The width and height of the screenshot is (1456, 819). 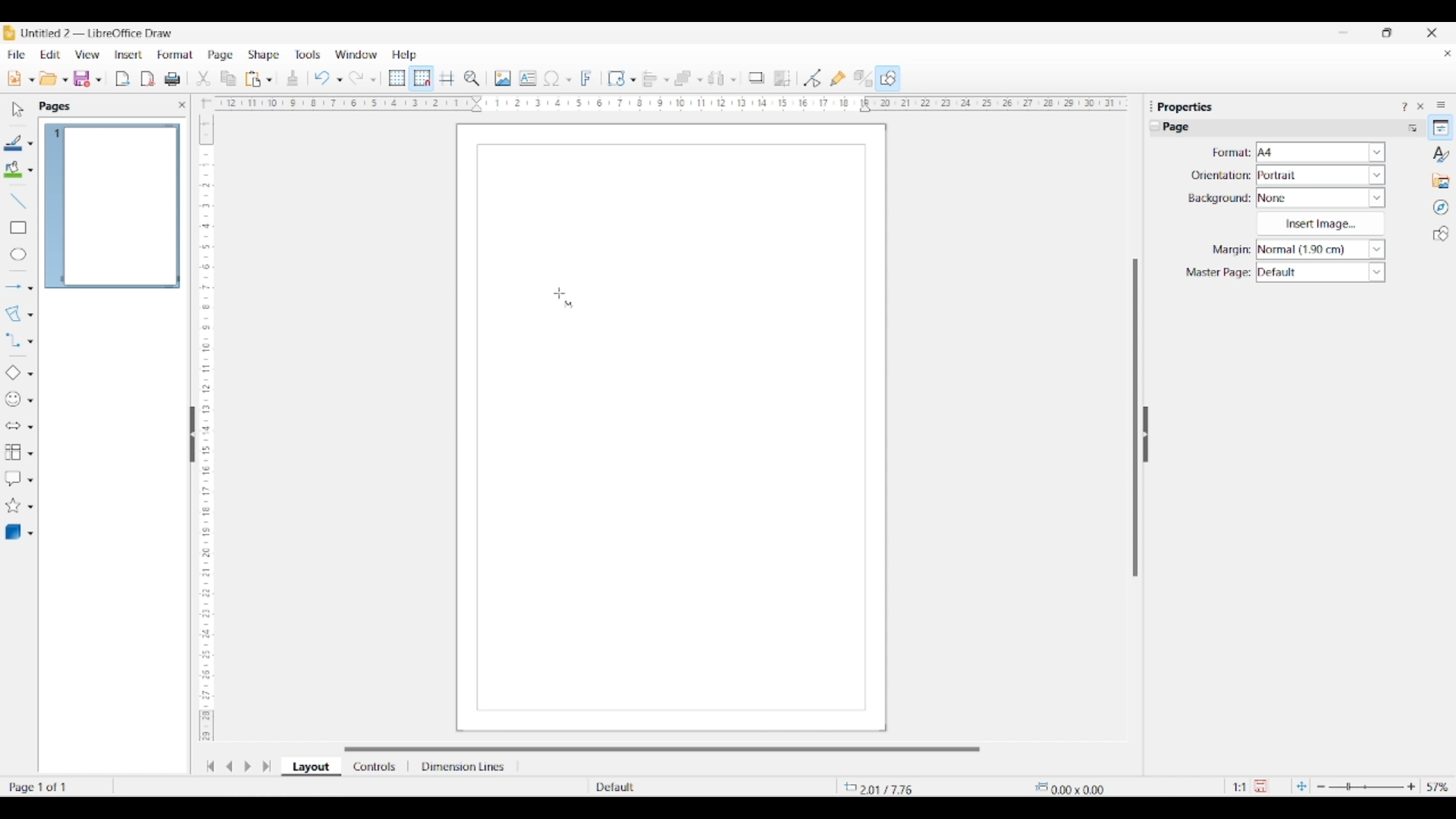 What do you see at coordinates (683, 79) in the screenshot?
I see `Selected arrangement` at bounding box center [683, 79].